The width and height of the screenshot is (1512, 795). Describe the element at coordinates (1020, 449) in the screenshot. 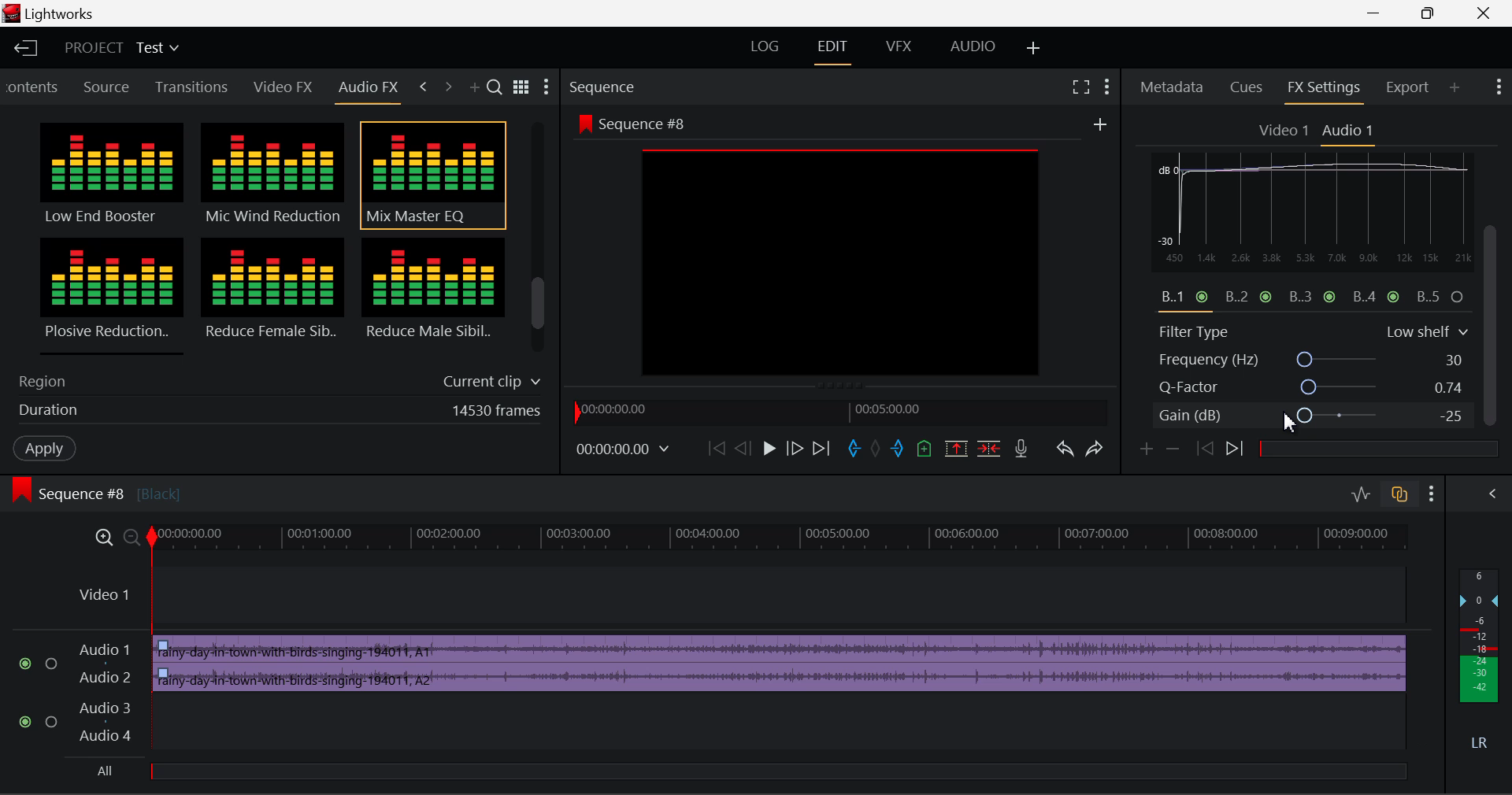

I see `Record Voiceover` at that location.